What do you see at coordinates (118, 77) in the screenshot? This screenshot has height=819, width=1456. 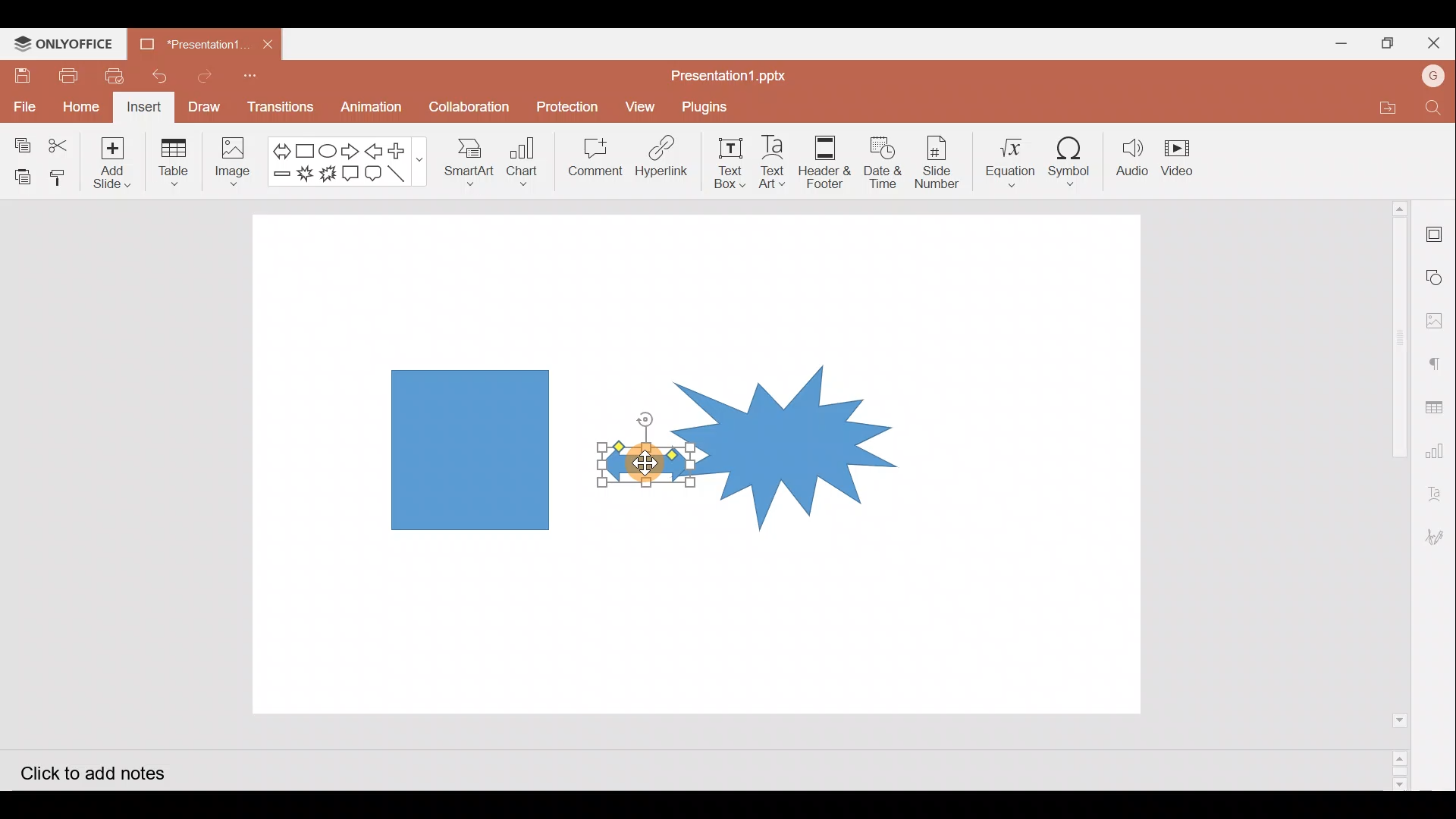 I see `Quick print` at bounding box center [118, 77].